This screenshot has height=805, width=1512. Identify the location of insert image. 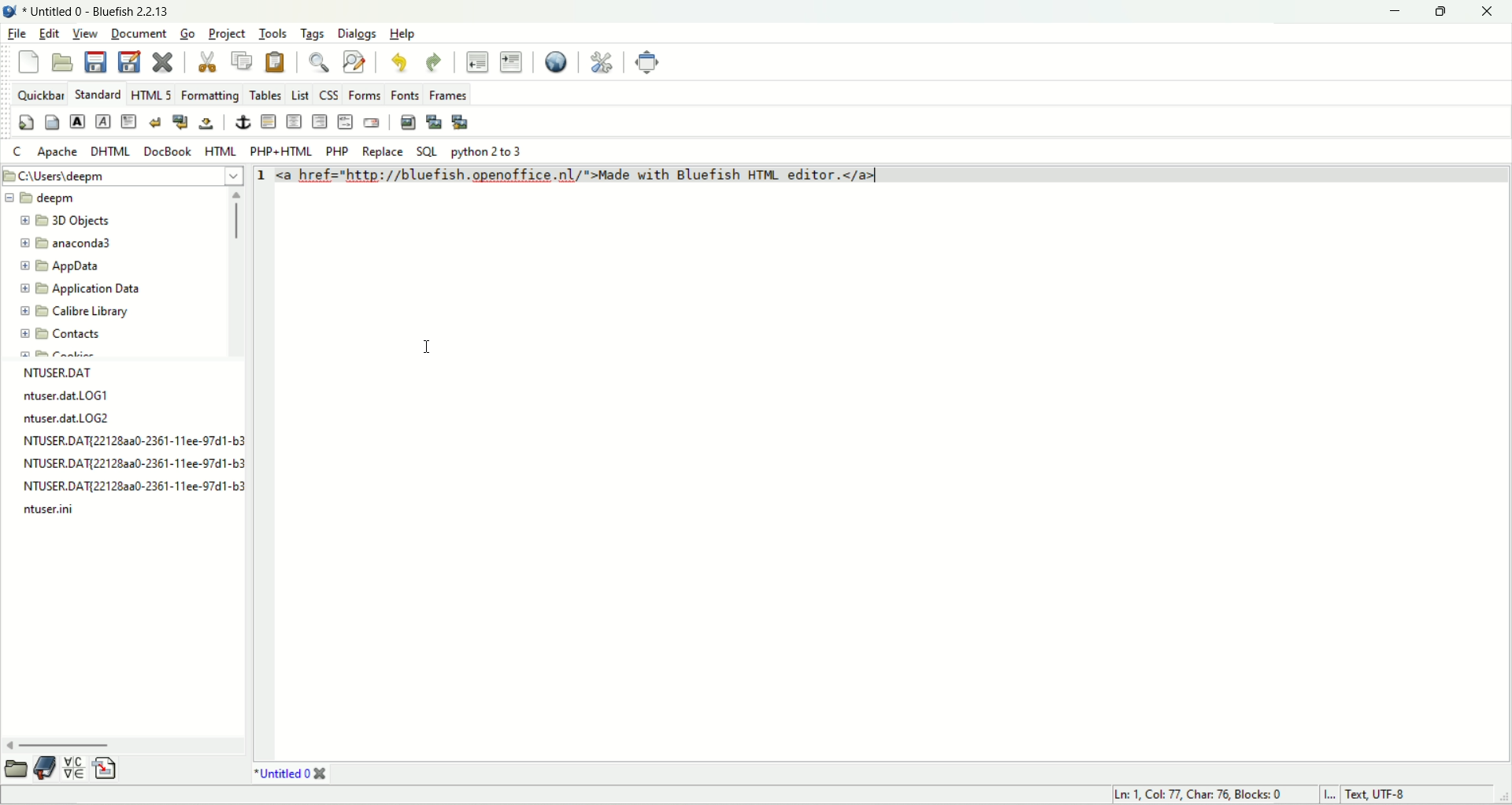
(408, 123).